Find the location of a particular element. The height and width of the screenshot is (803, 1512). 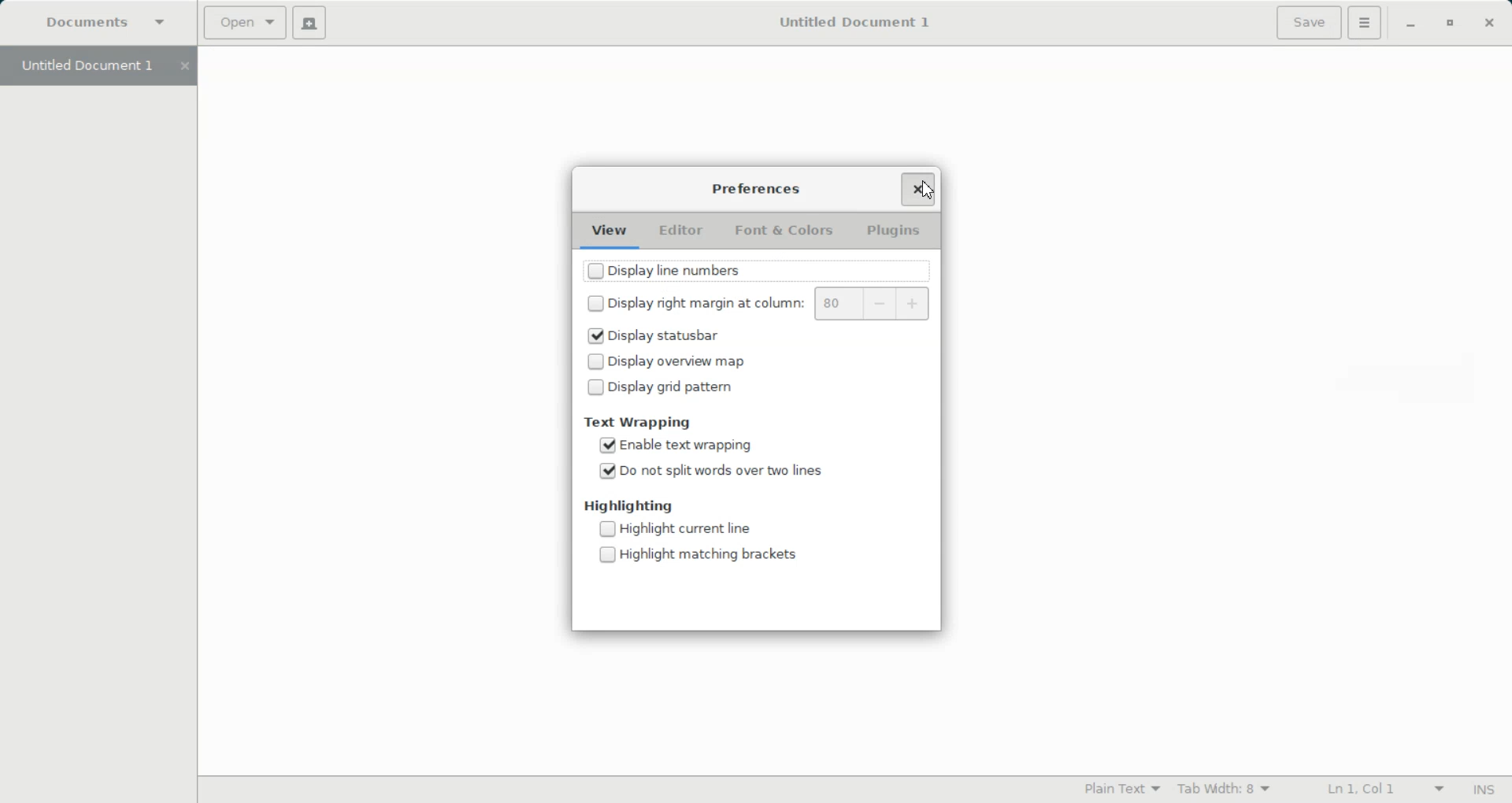

(un)check Disable Highlight matching brackets is located at coordinates (701, 553).